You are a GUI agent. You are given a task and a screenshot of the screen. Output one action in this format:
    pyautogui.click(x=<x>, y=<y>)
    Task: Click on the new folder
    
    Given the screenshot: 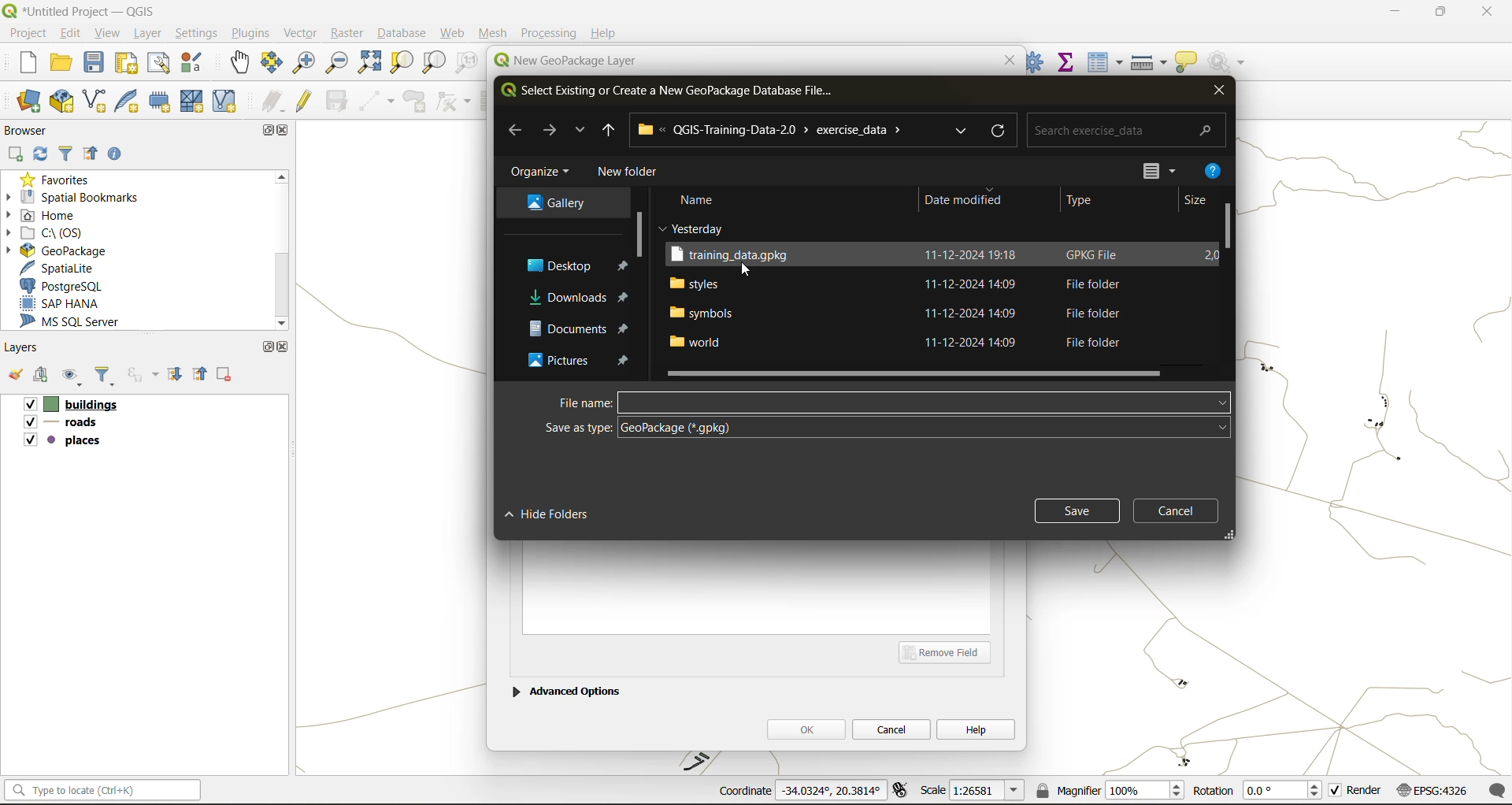 What is the action you would take?
    pyautogui.click(x=628, y=172)
    